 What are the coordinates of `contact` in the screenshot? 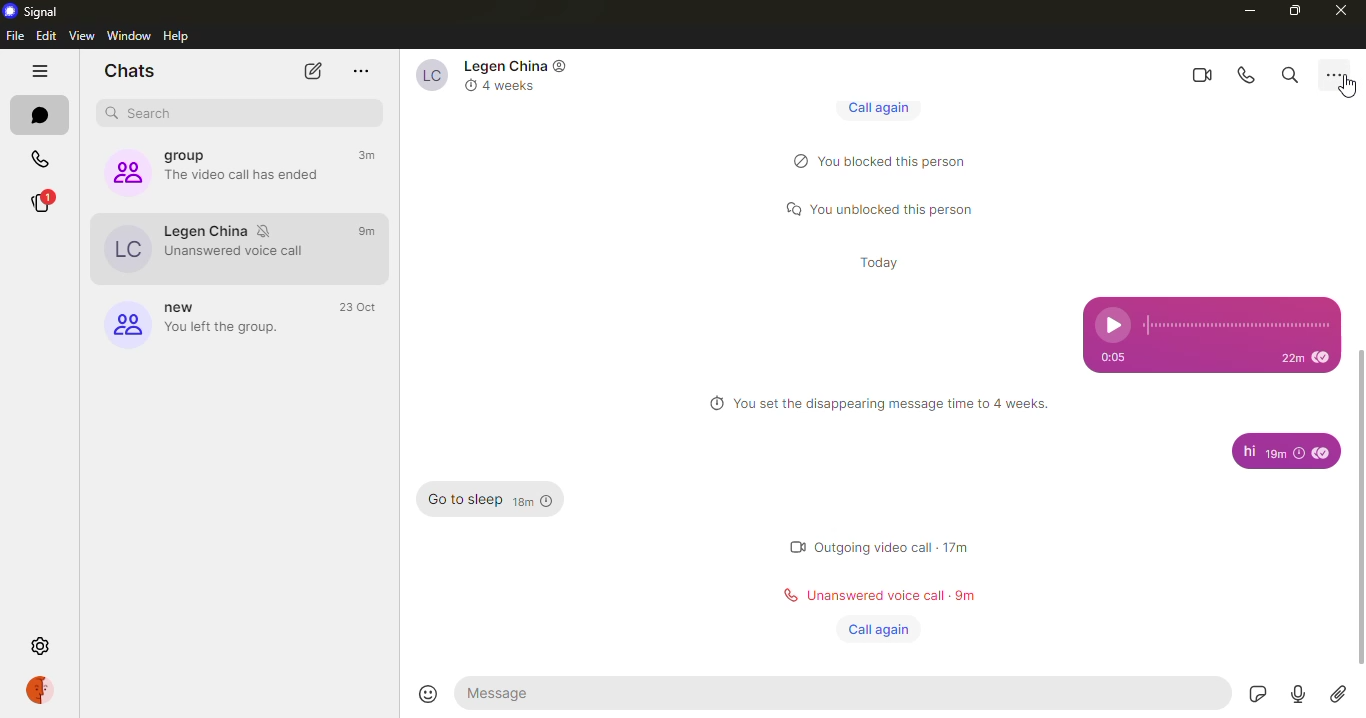 It's located at (216, 243).